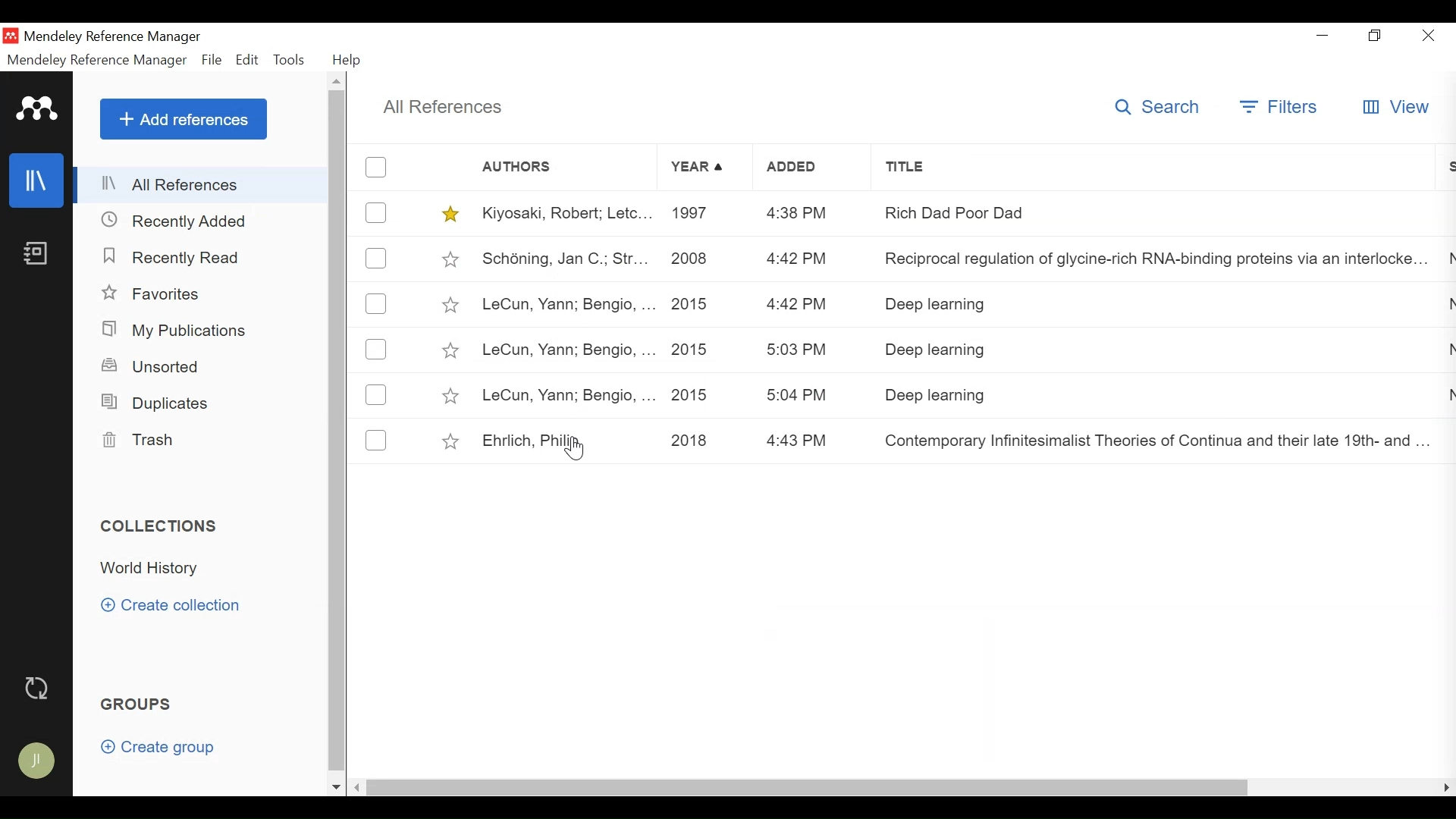 The image size is (1456, 819). I want to click on scroll down, so click(336, 788).